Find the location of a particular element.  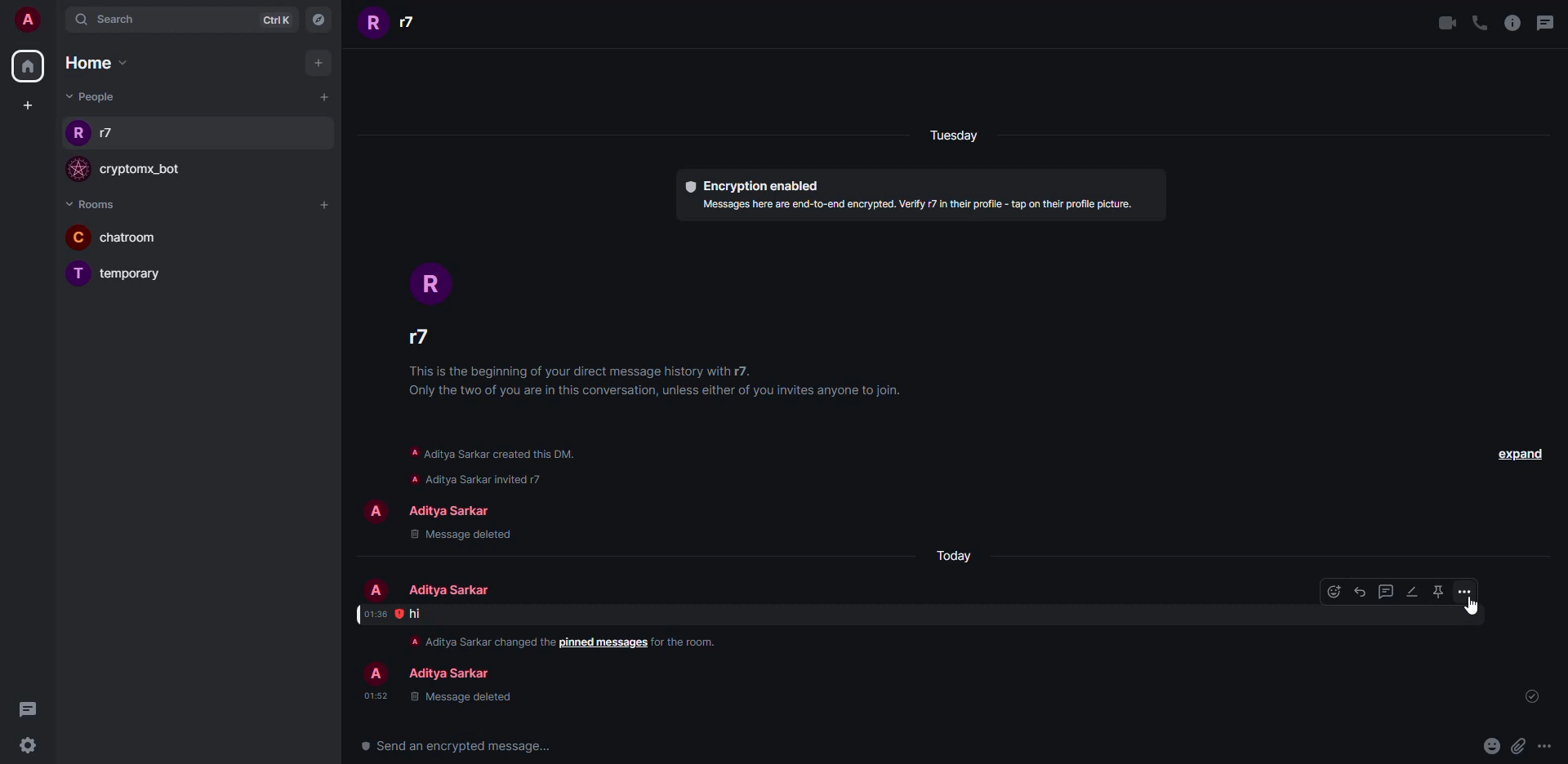

room is located at coordinates (136, 238).